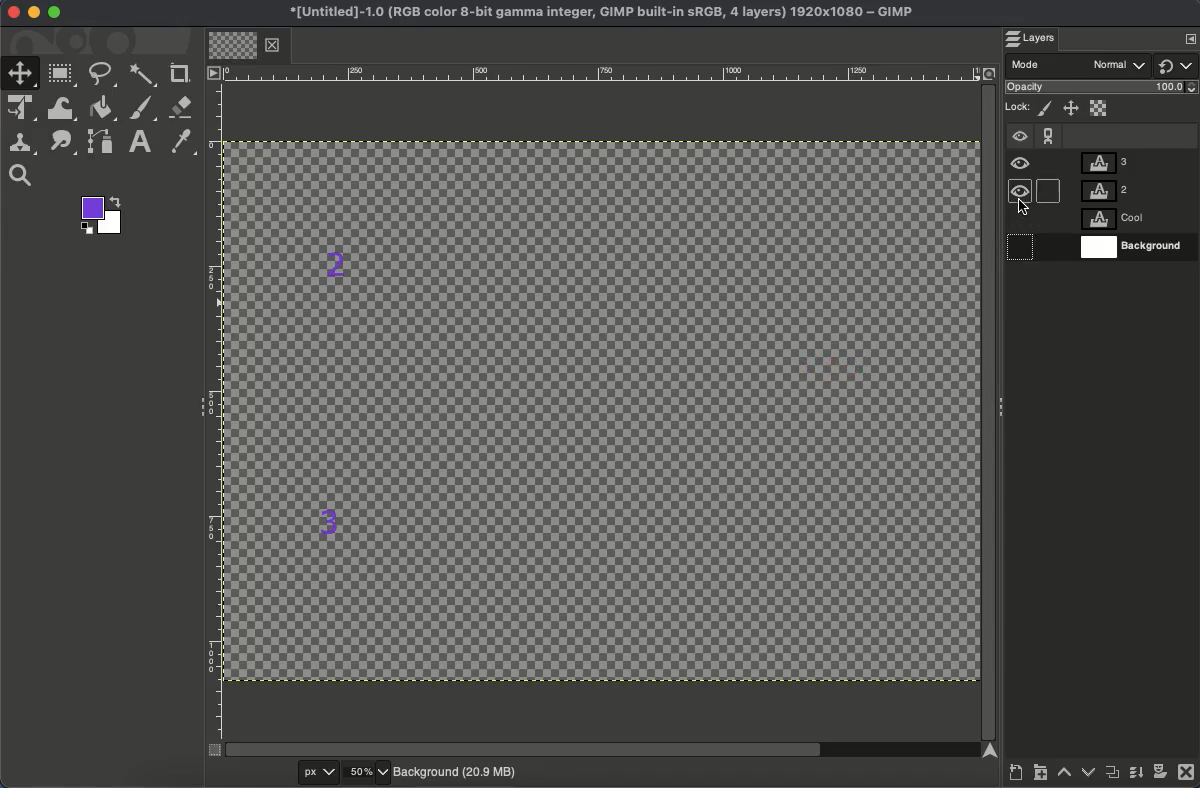  I want to click on Crop, so click(181, 72).